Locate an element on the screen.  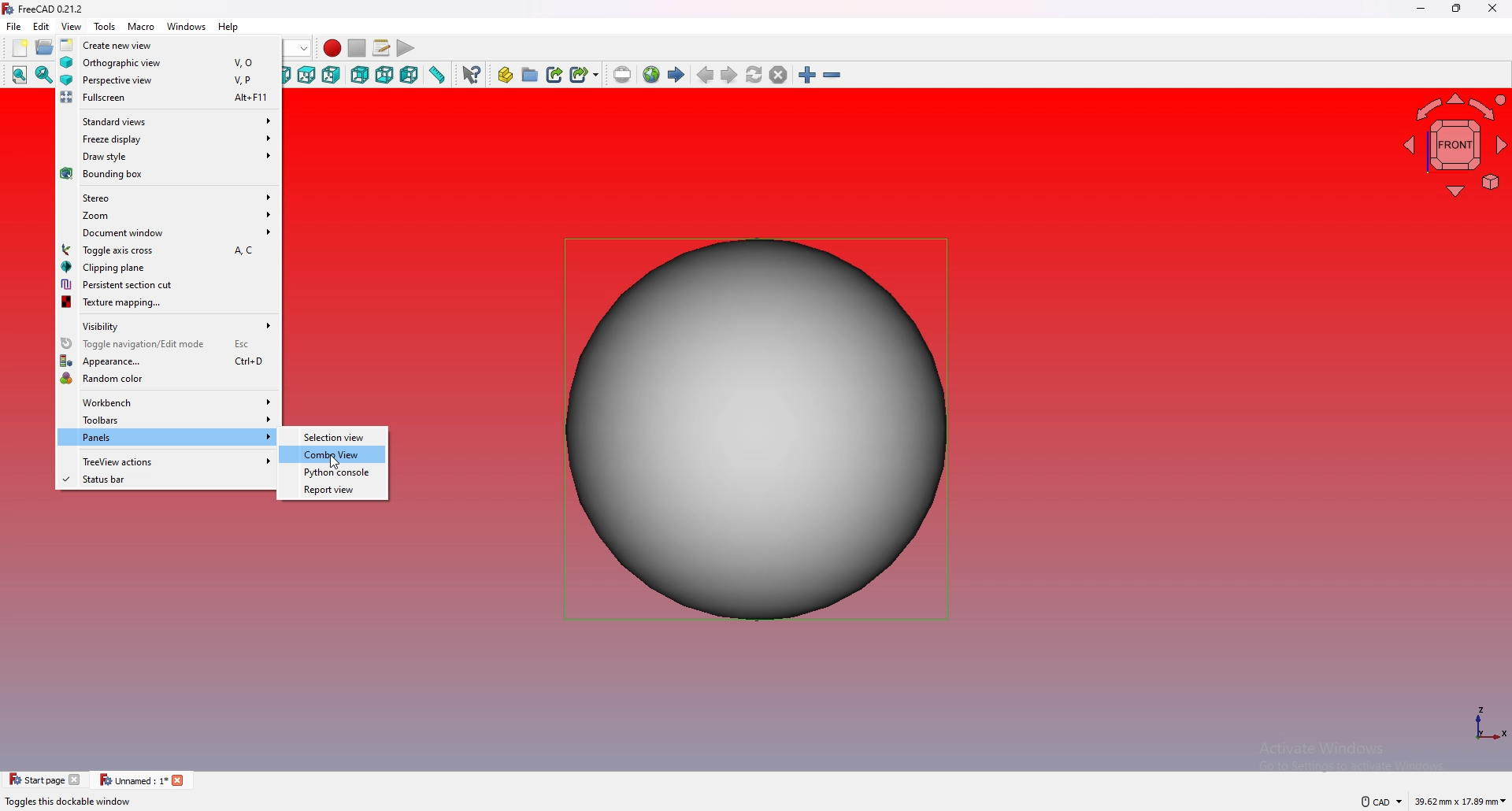
macro is located at coordinates (141, 27).